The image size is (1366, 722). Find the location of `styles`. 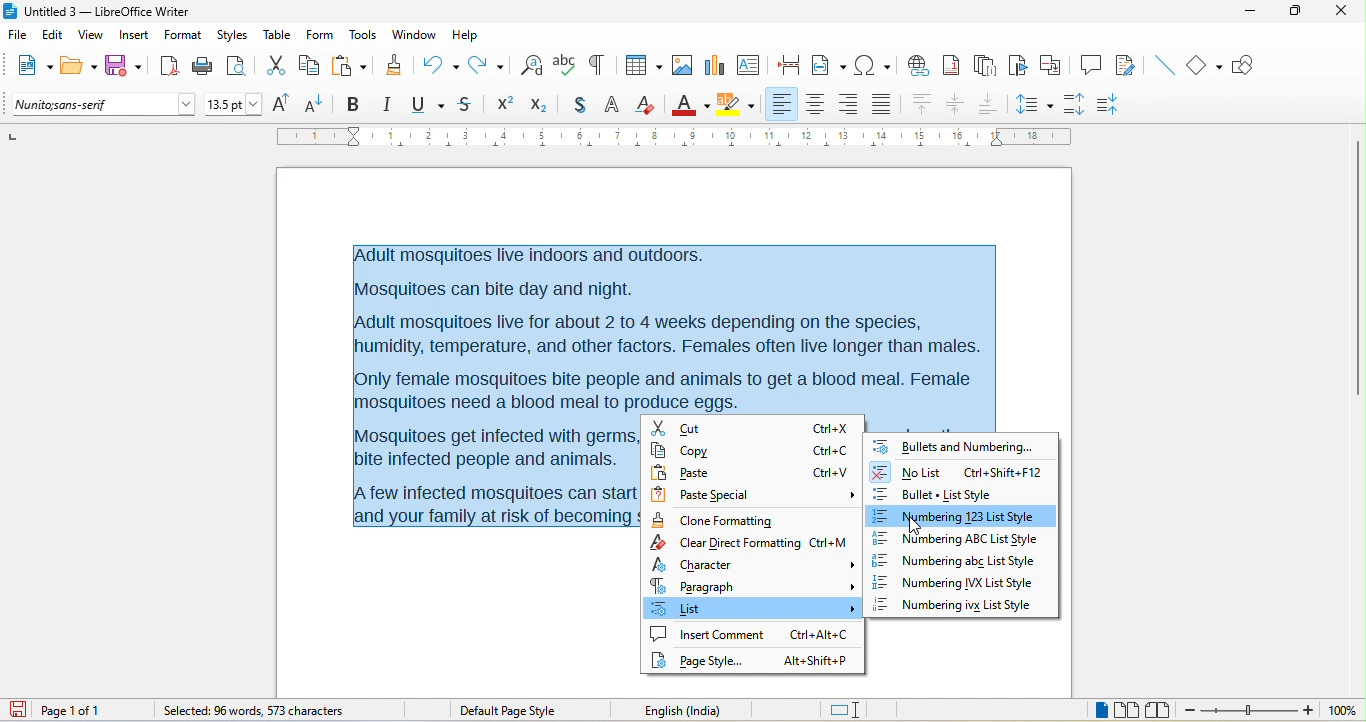

styles is located at coordinates (232, 35).